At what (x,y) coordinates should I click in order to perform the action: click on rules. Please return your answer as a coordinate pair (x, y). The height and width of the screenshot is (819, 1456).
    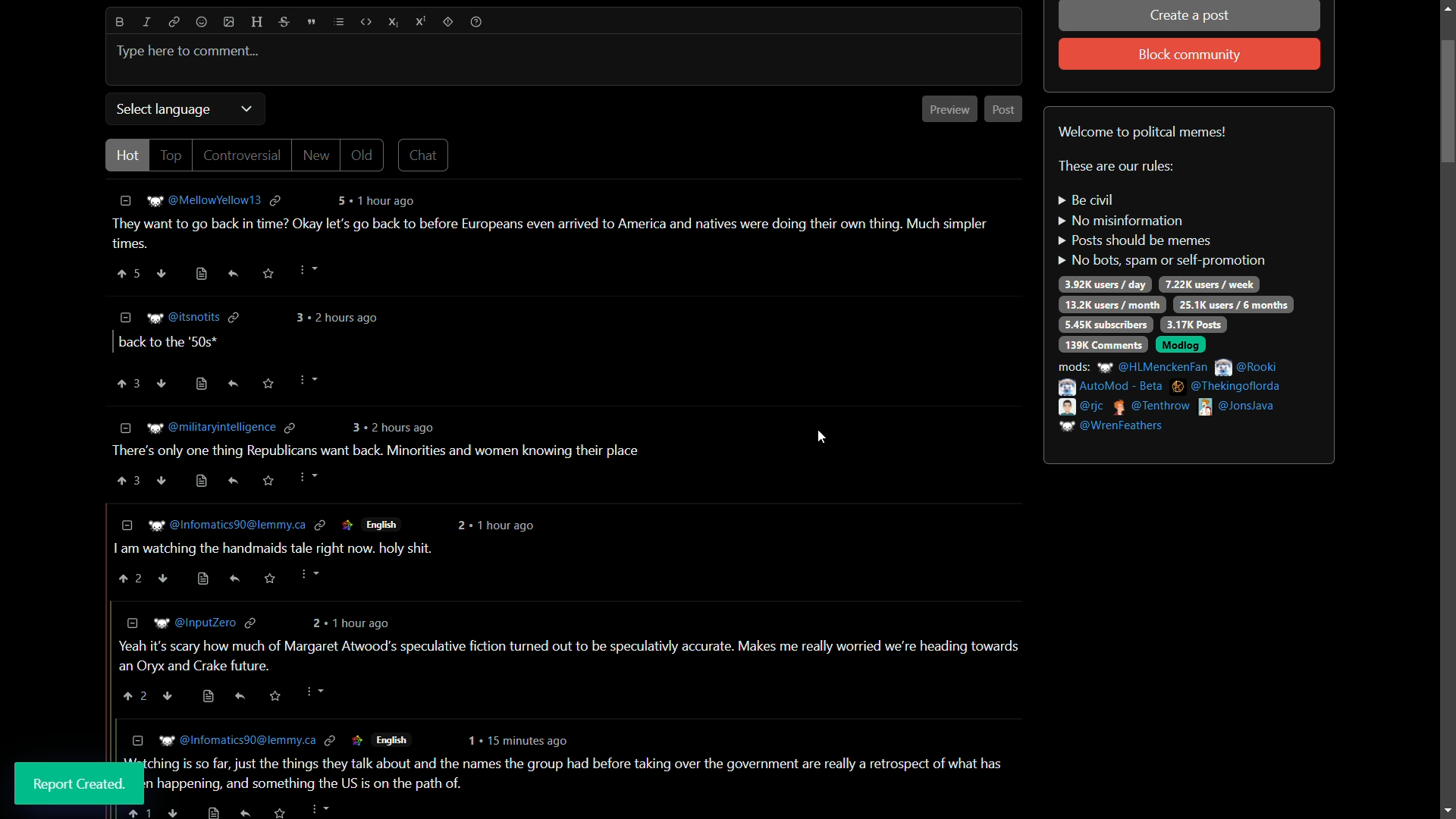
    Looking at the image, I should click on (1161, 232).